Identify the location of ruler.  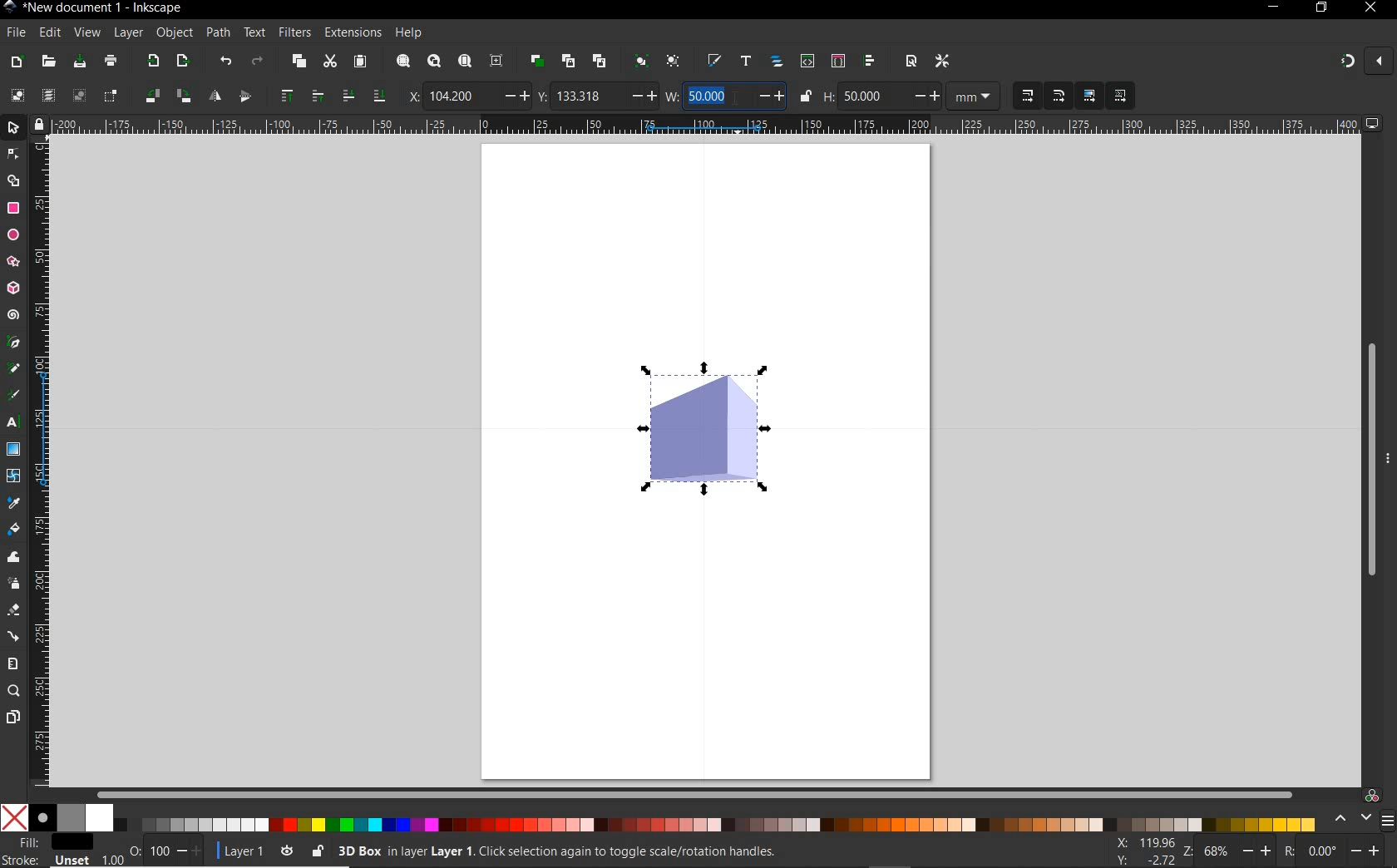
(705, 125).